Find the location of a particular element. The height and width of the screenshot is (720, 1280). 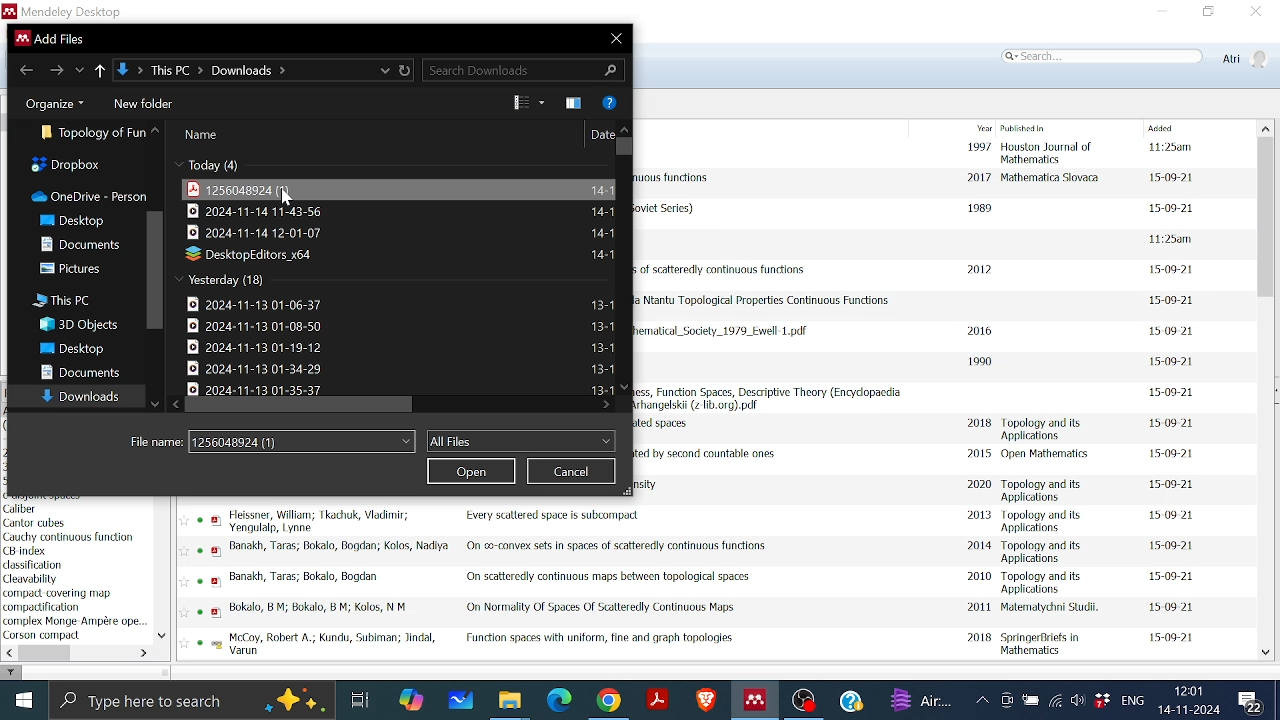

Type here to search is located at coordinates (192, 701).